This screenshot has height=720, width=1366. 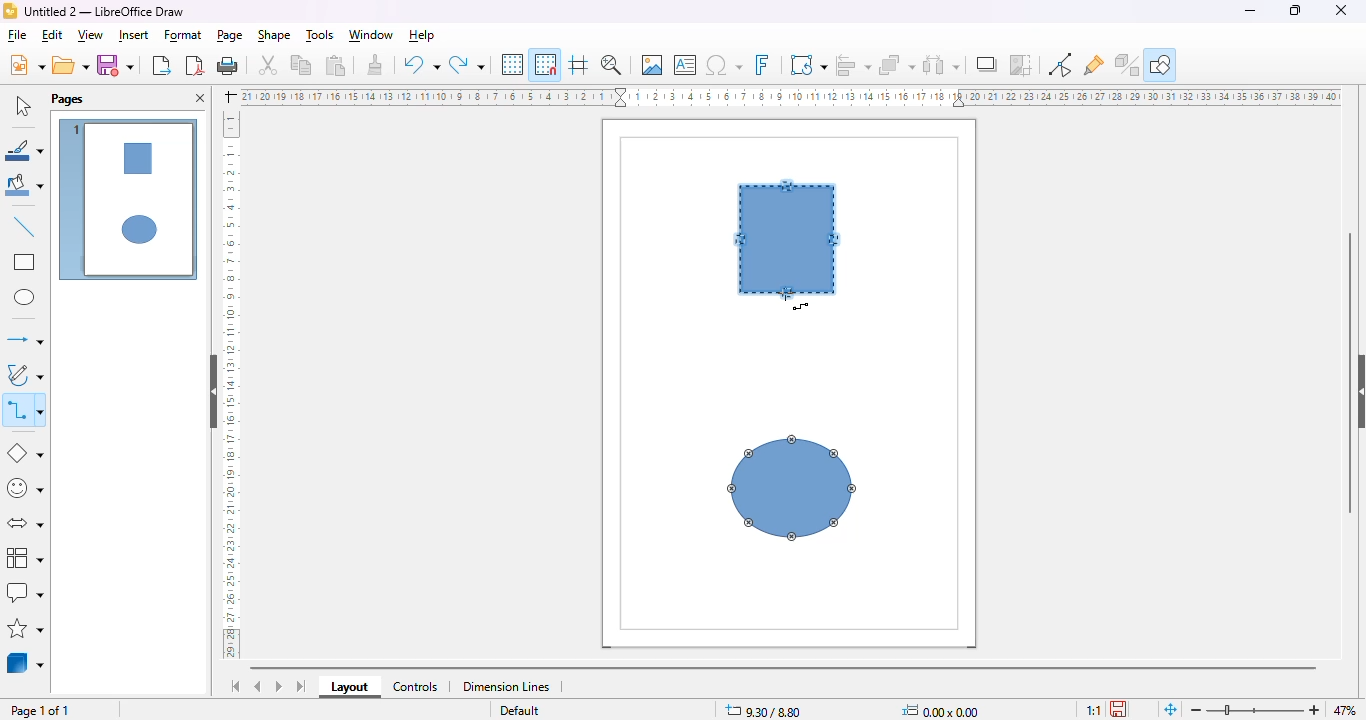 I want to click on redo, so click(x=466, y=66).